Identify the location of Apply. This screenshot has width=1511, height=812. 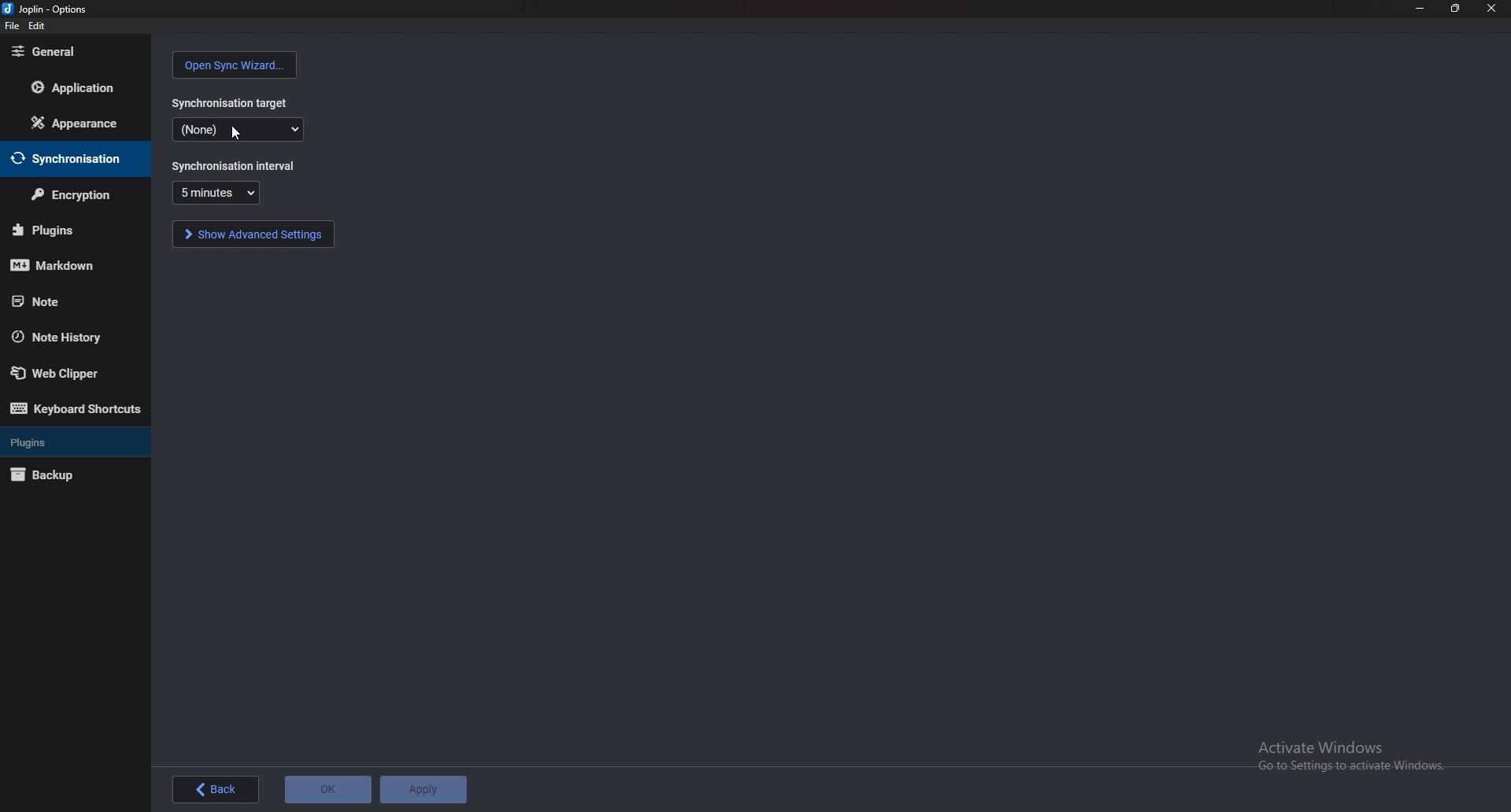
(424, 788).